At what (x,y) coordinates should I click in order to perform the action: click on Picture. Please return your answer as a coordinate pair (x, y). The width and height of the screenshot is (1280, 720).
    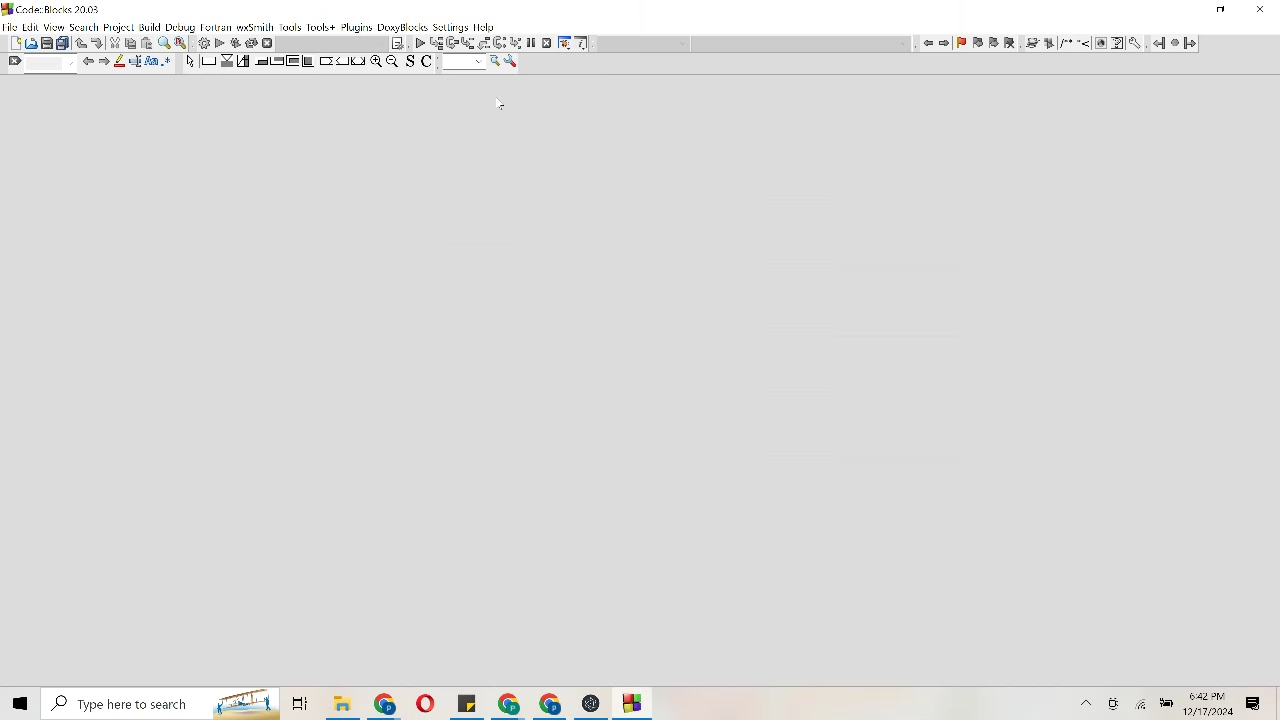
    Looking at the image, I should click on (31, 42).